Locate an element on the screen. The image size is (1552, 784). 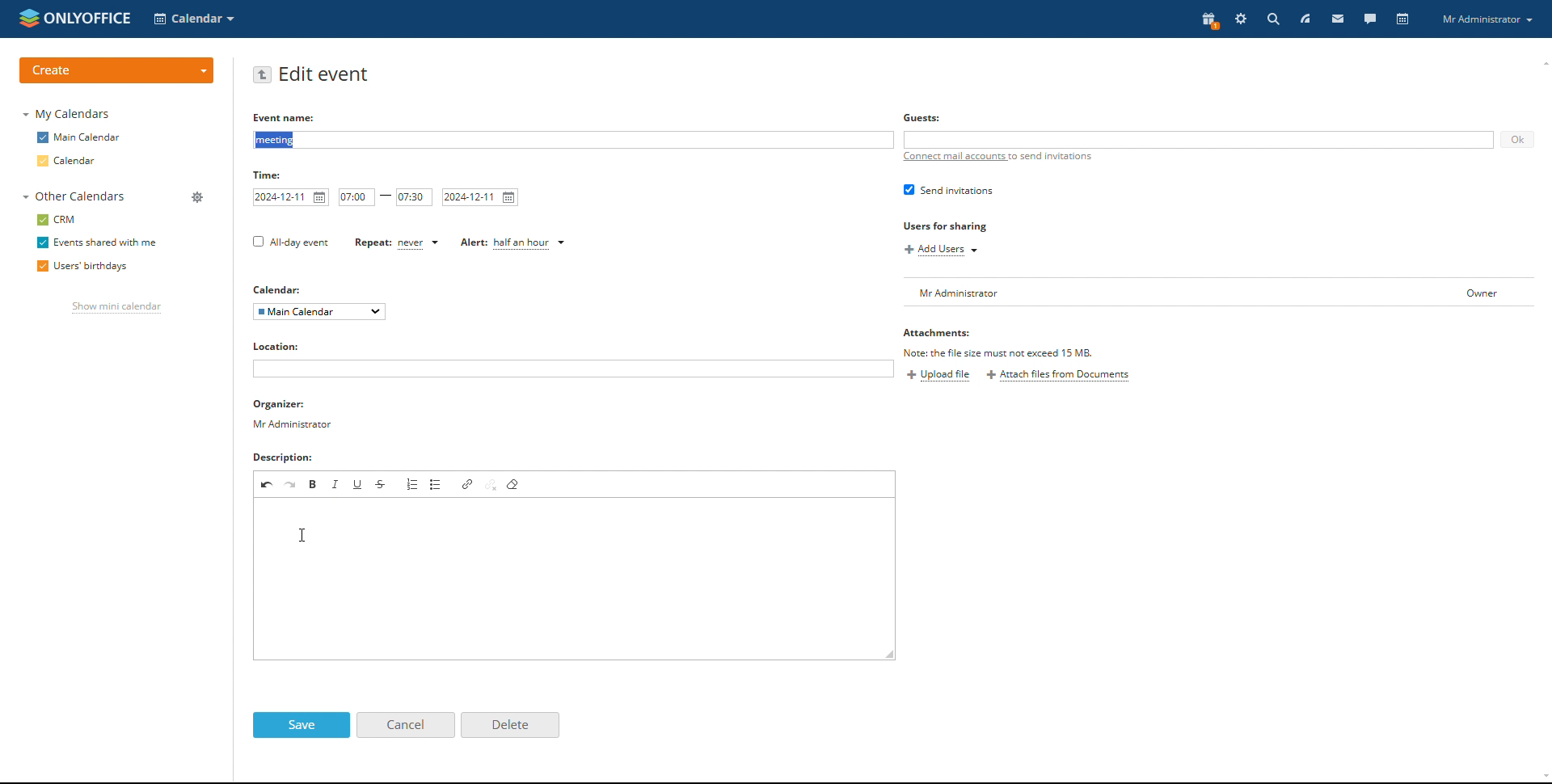
events shared with me is located at coordinates (96, 243).